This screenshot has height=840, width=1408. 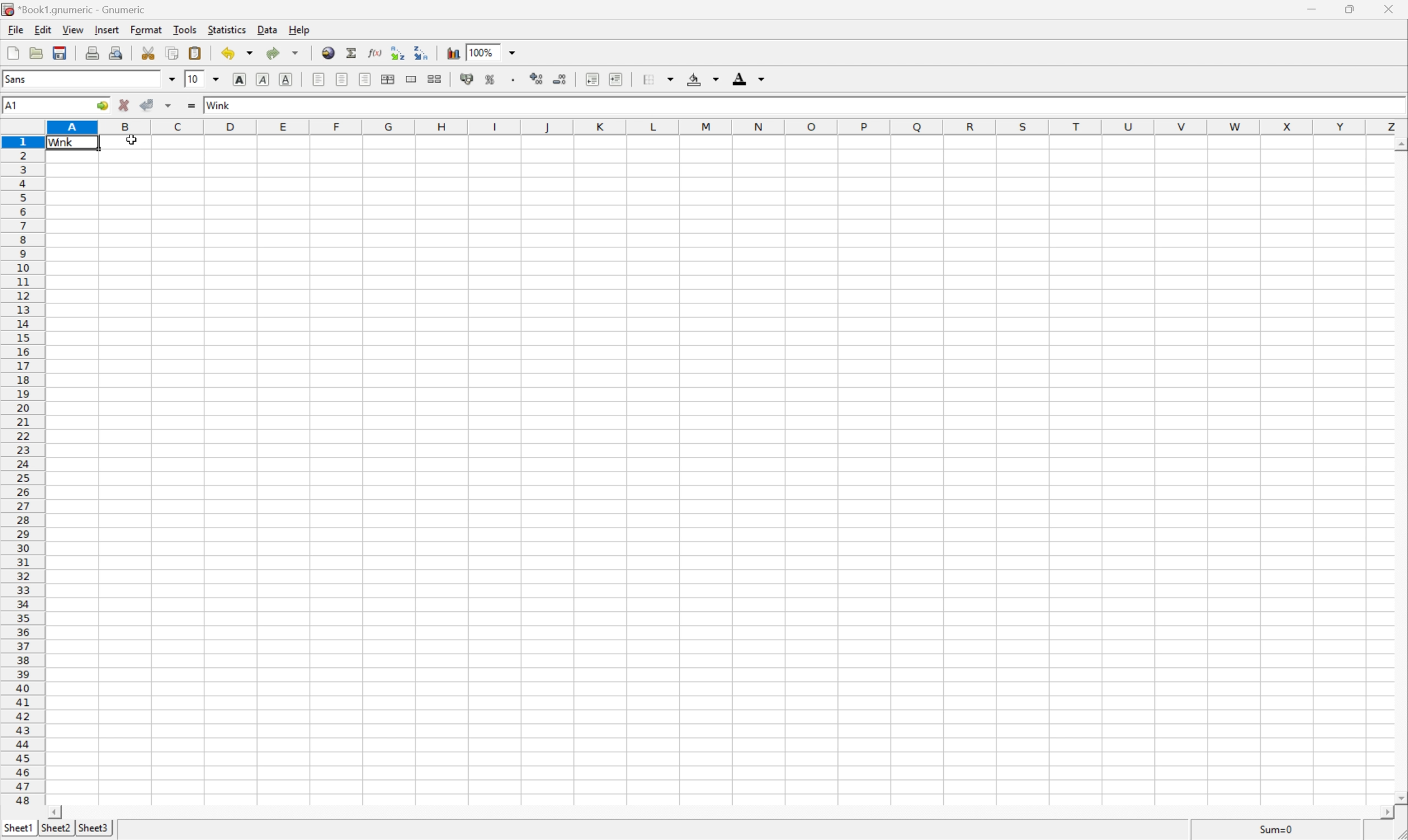 I want to click on scroll left, so click(x=1385, y=811).